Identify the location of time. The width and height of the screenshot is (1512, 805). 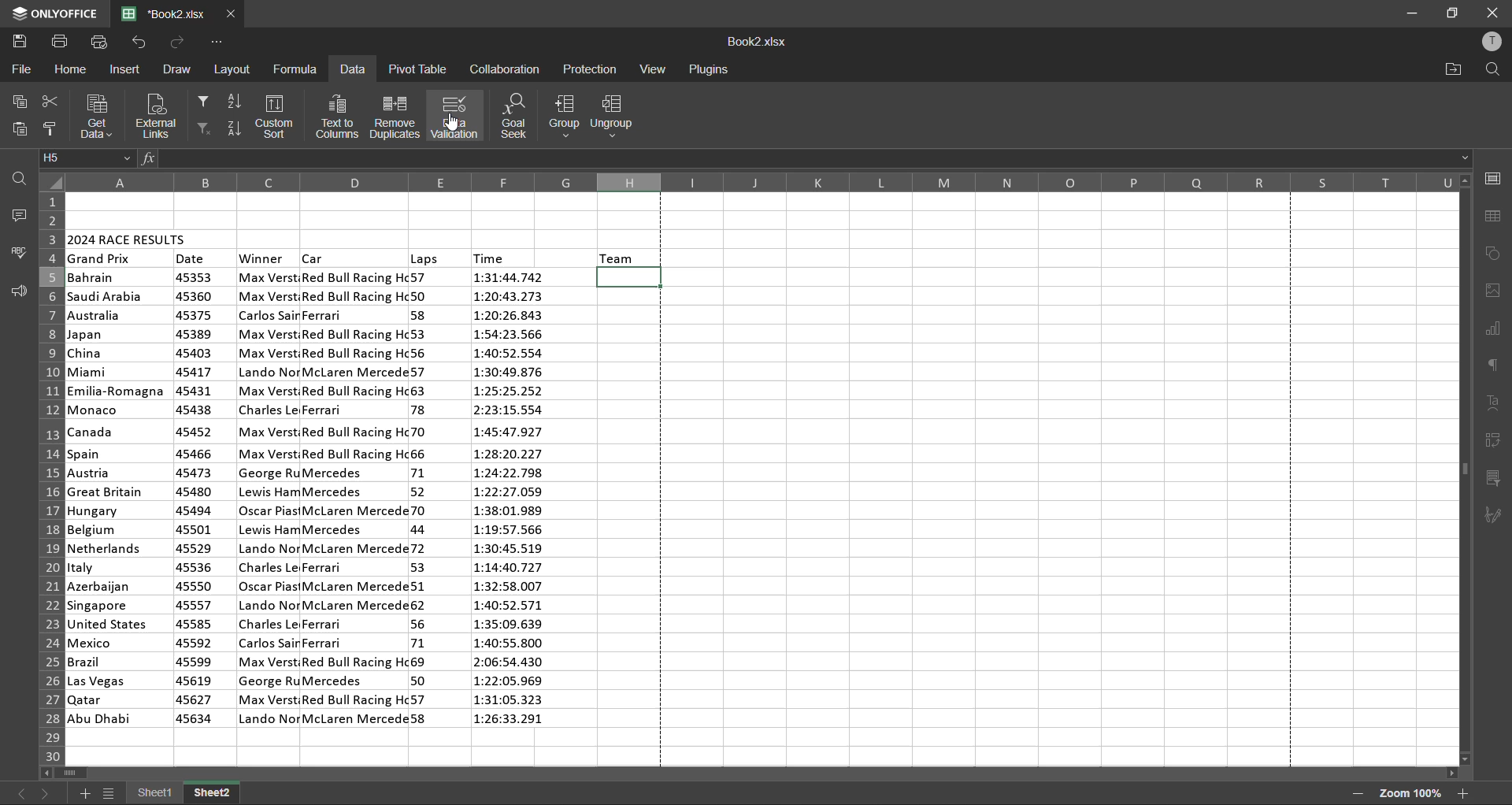
(491, 257).